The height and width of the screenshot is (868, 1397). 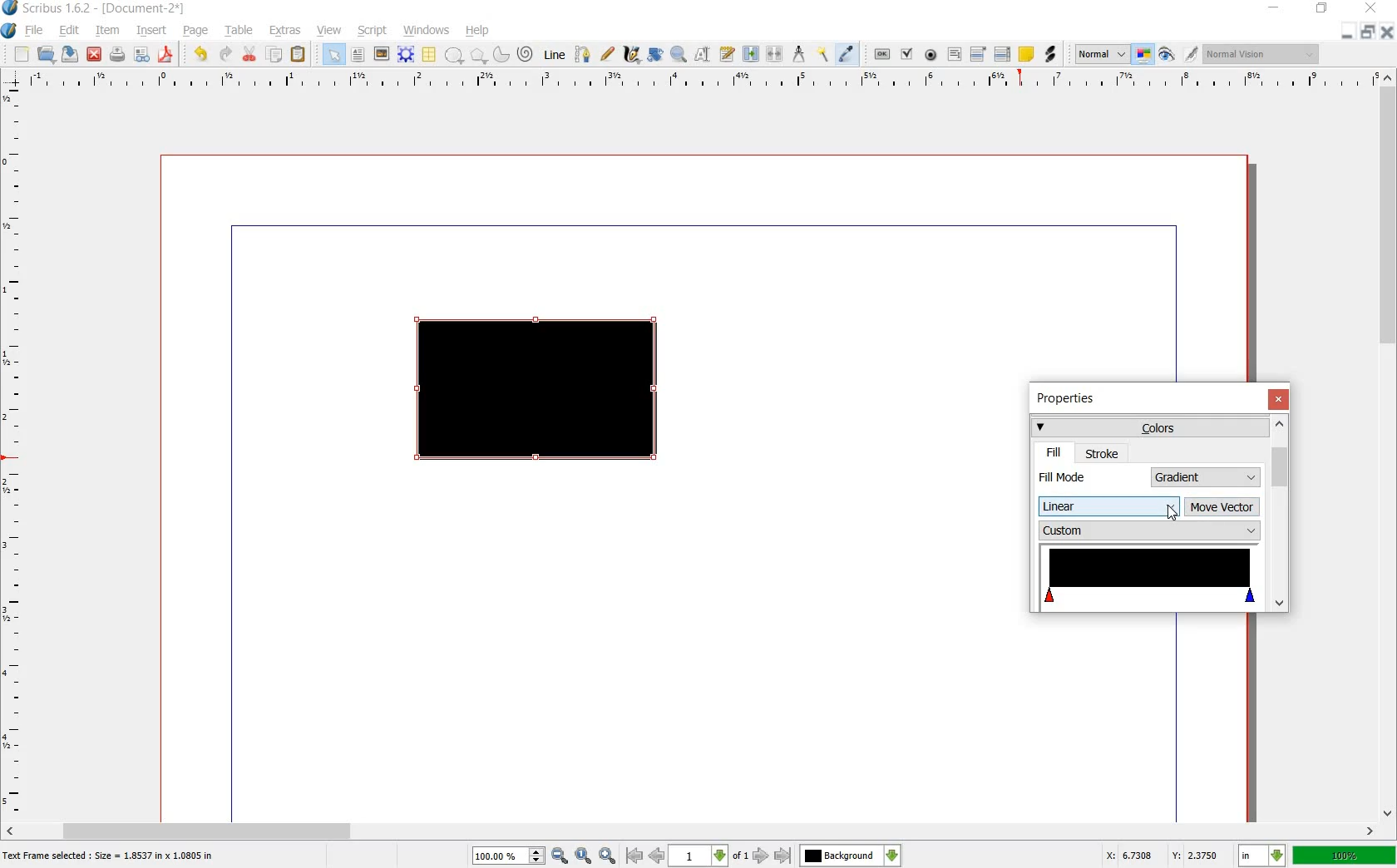 I want to click on polygon, so click(x=476, y=55).